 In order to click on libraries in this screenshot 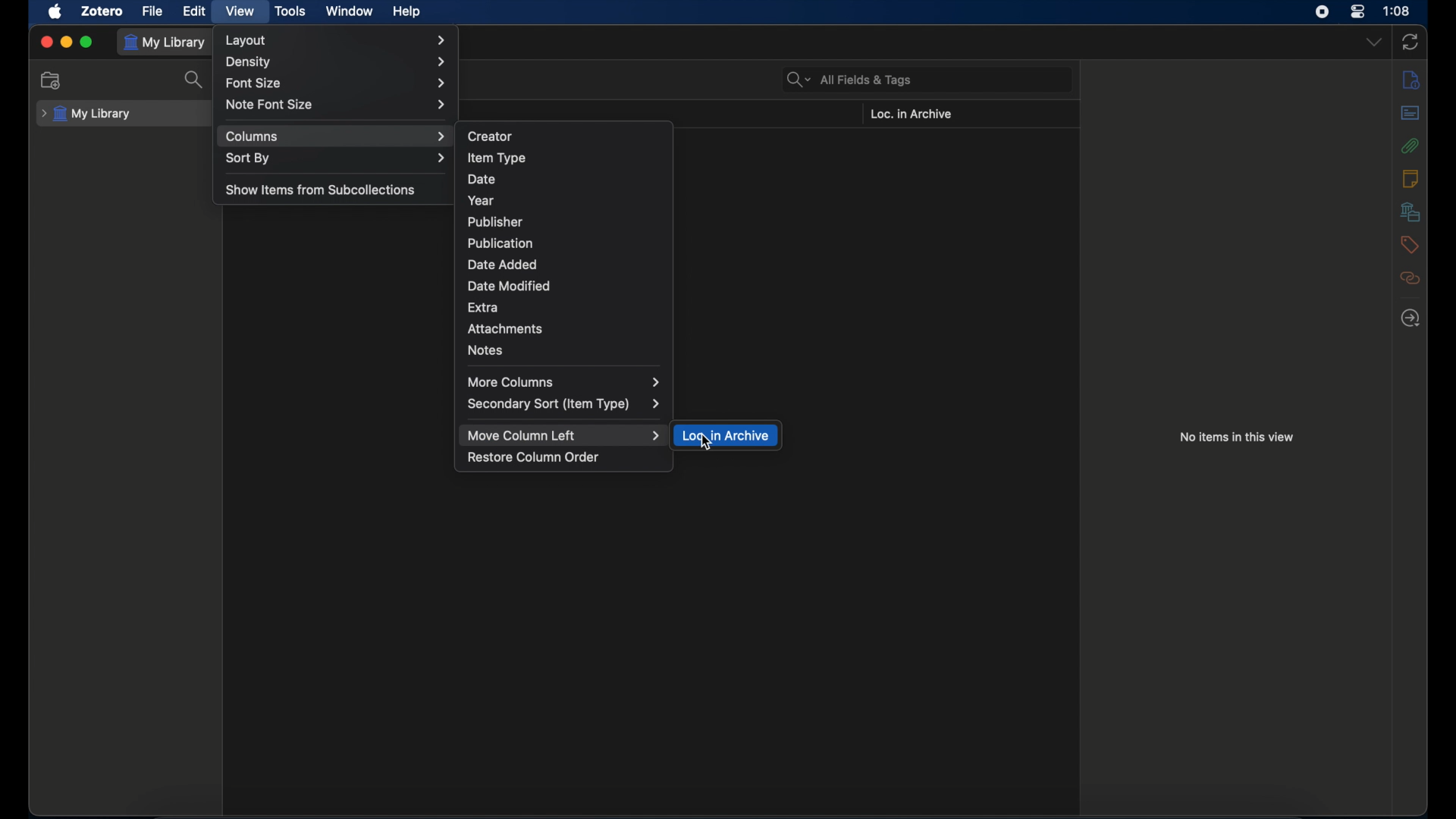, I will do `click(1410, 212)`.